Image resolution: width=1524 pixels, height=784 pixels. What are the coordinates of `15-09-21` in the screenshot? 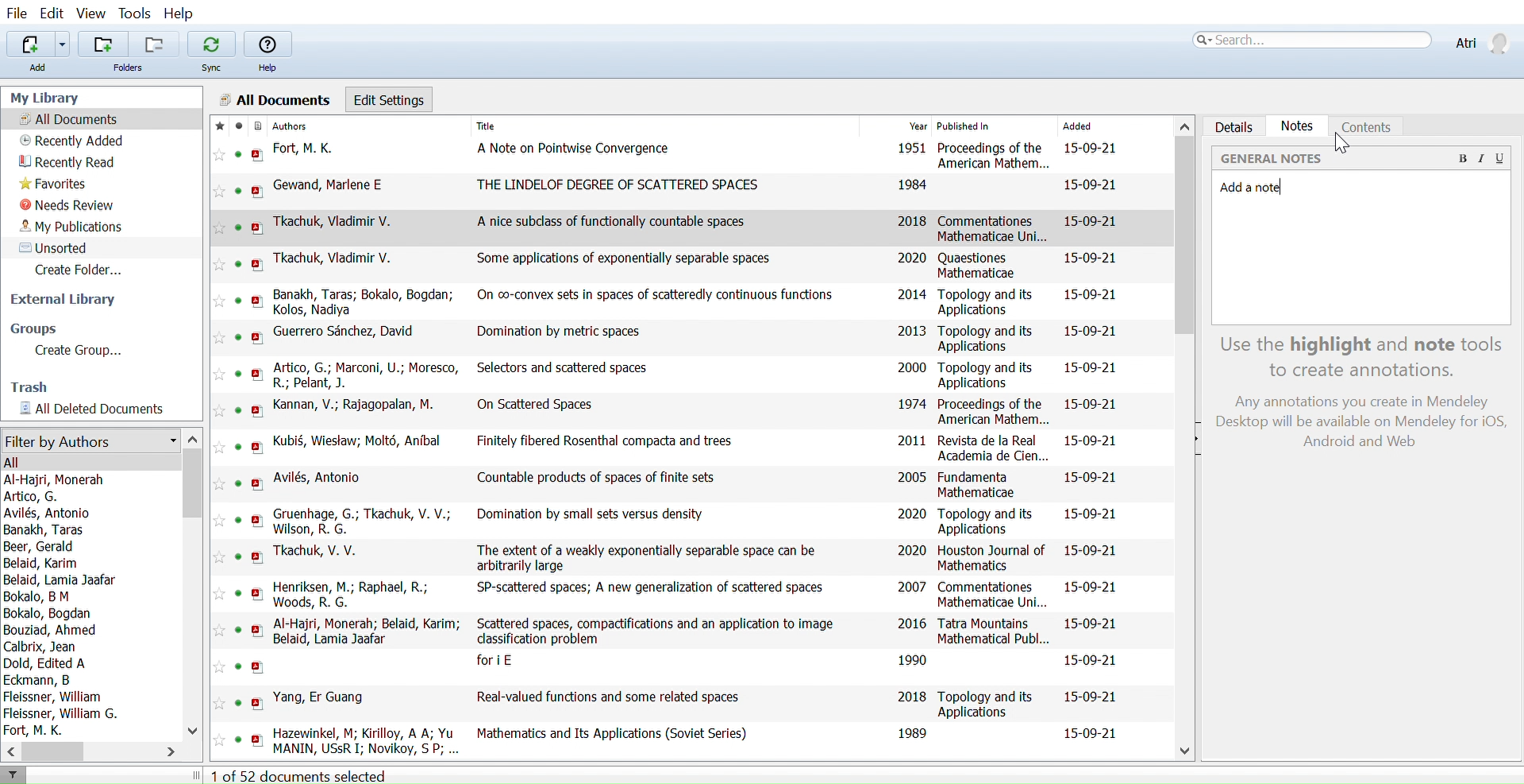 It's located at (1091, 660).